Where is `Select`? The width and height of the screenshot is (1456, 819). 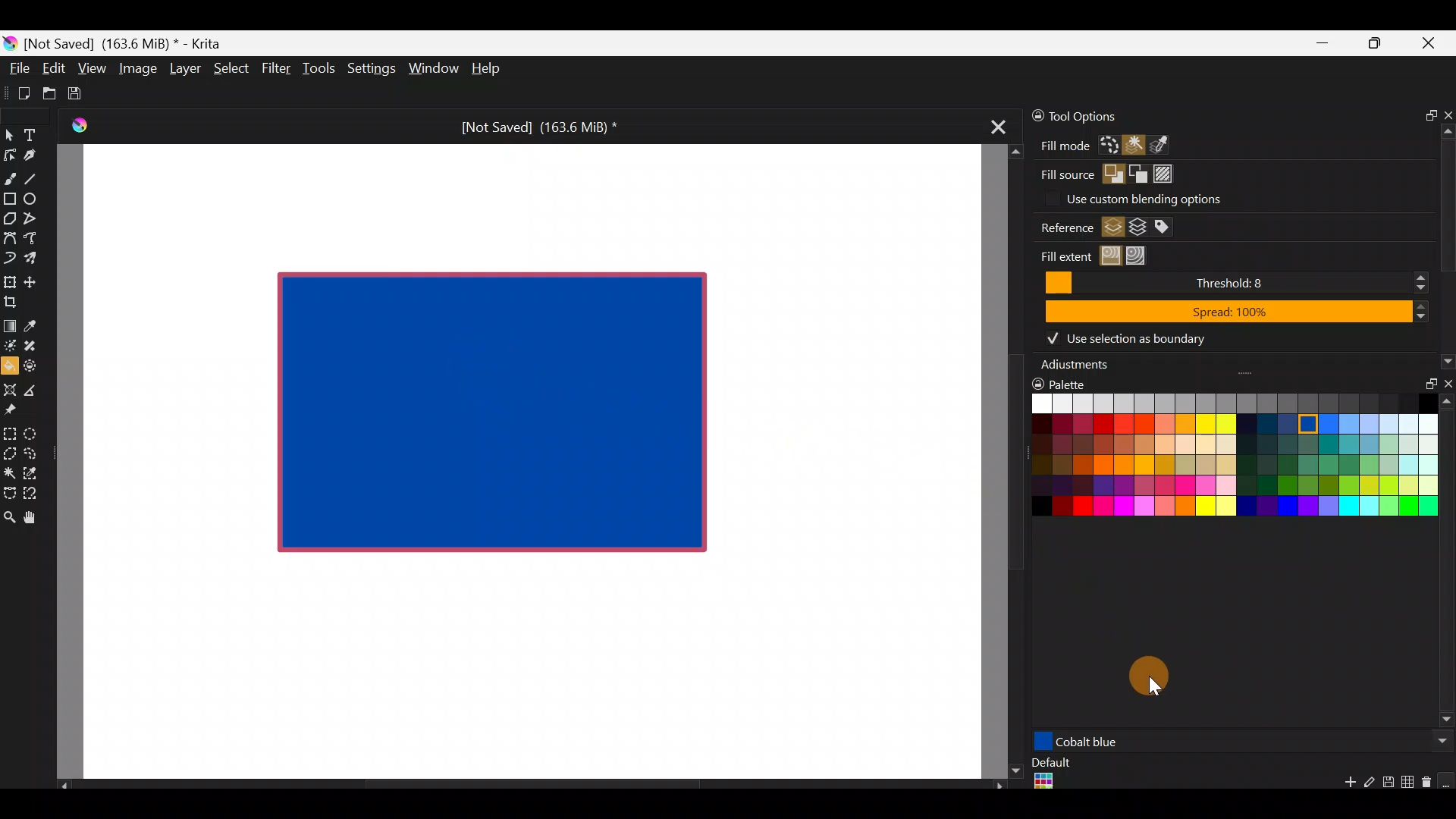 Select is located at coordinates (230, 68).